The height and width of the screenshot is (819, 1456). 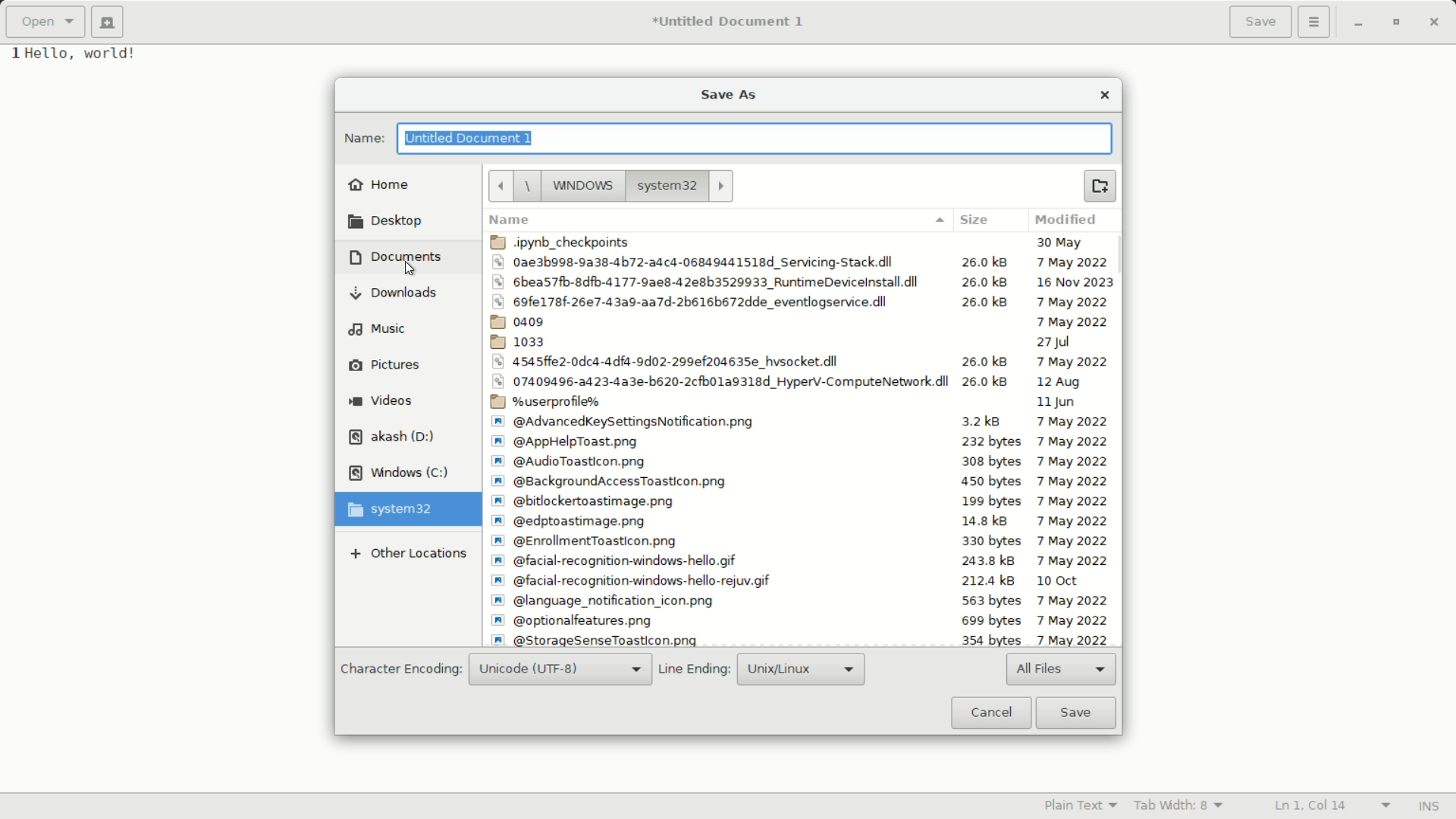 What do you see at coordinates (406, 554) in the screenshot?
I see `Add other locations` at bounding box center [406, 554].